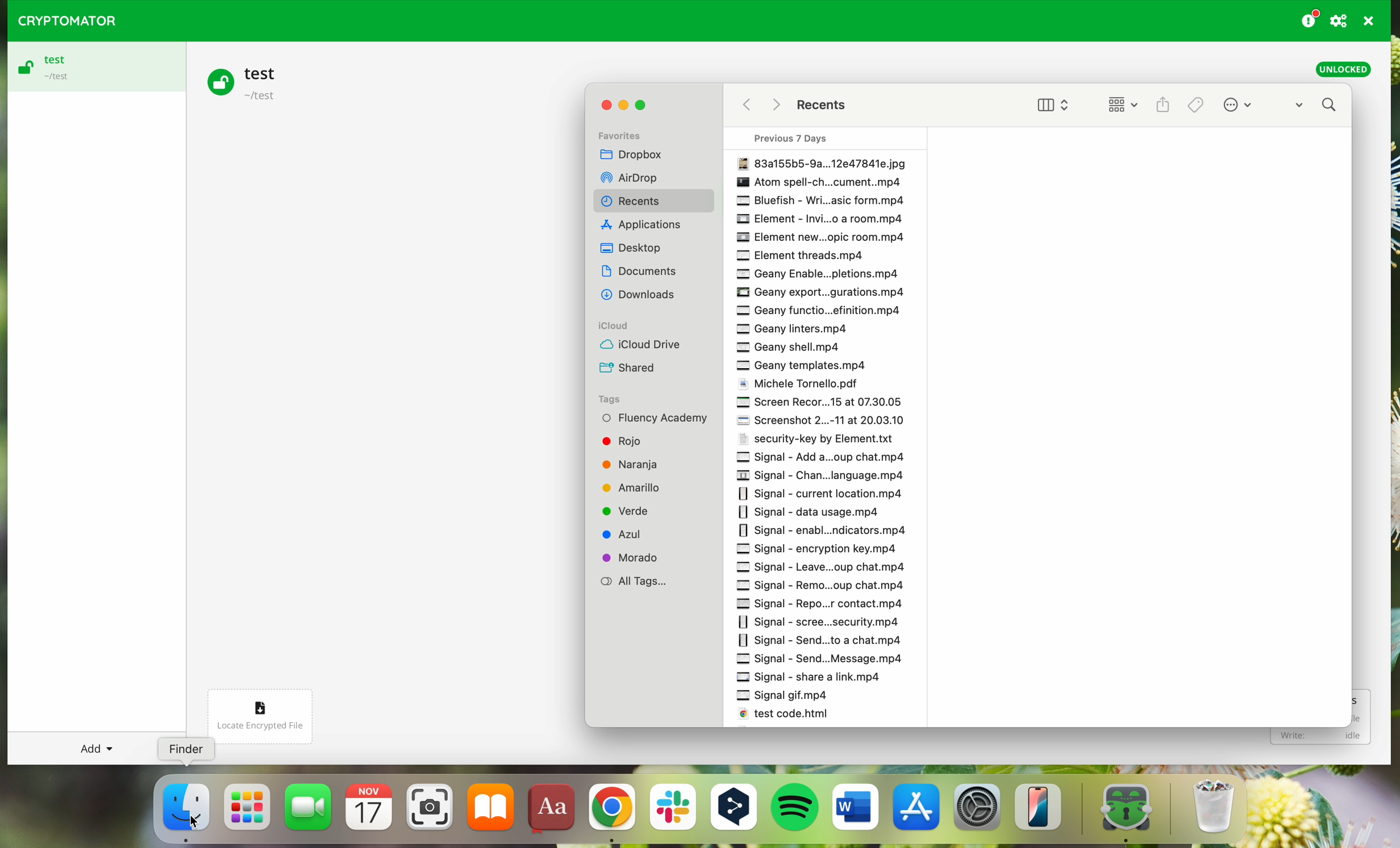 The width and height of the screenshot is (1400, 848). I want to click on iBooks, so click(491, 811).